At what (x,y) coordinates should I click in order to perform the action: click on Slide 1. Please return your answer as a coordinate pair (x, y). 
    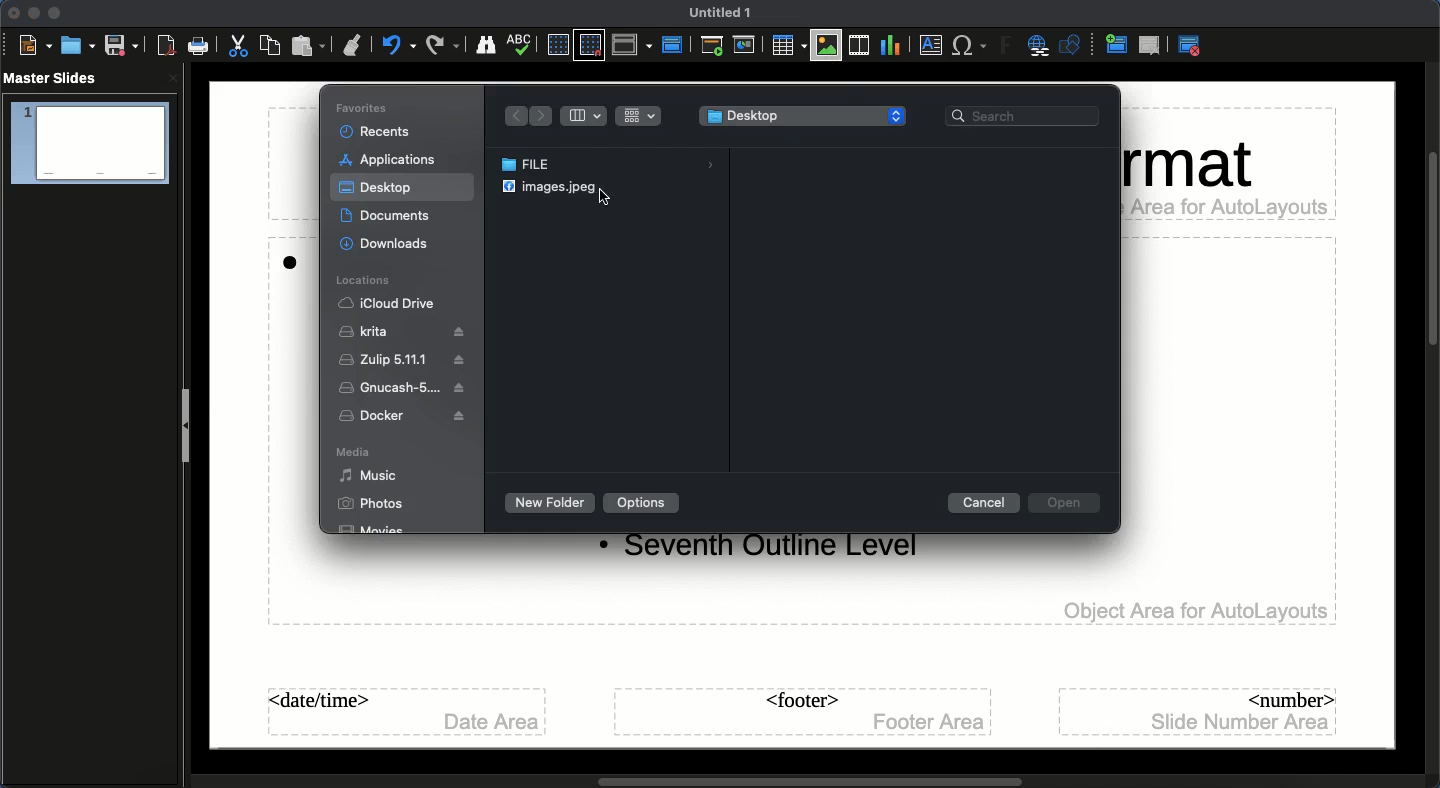
    Looking at the image, I should click on (92, 143).